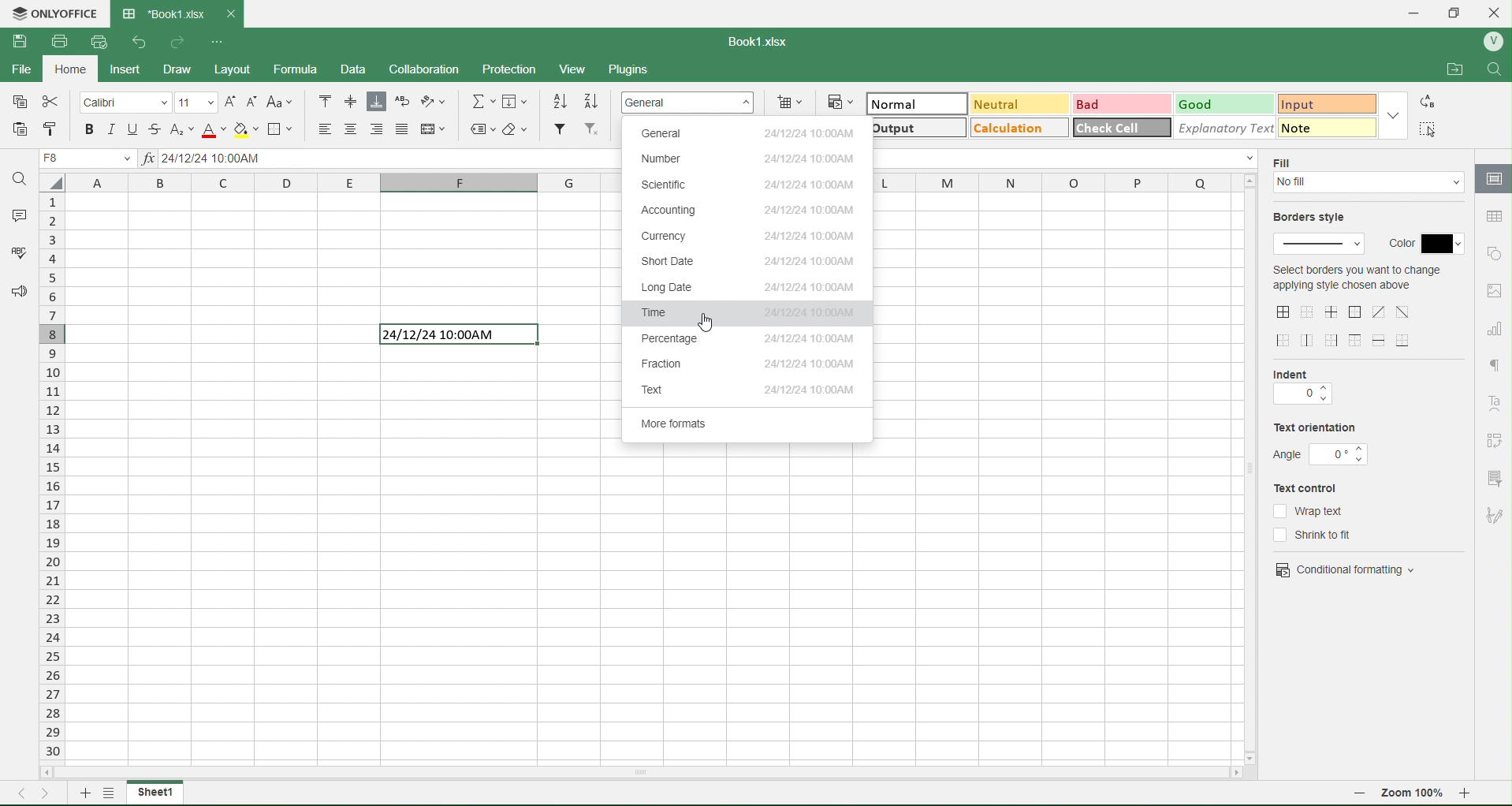  I want to click on More Formats, so click(749, 427).